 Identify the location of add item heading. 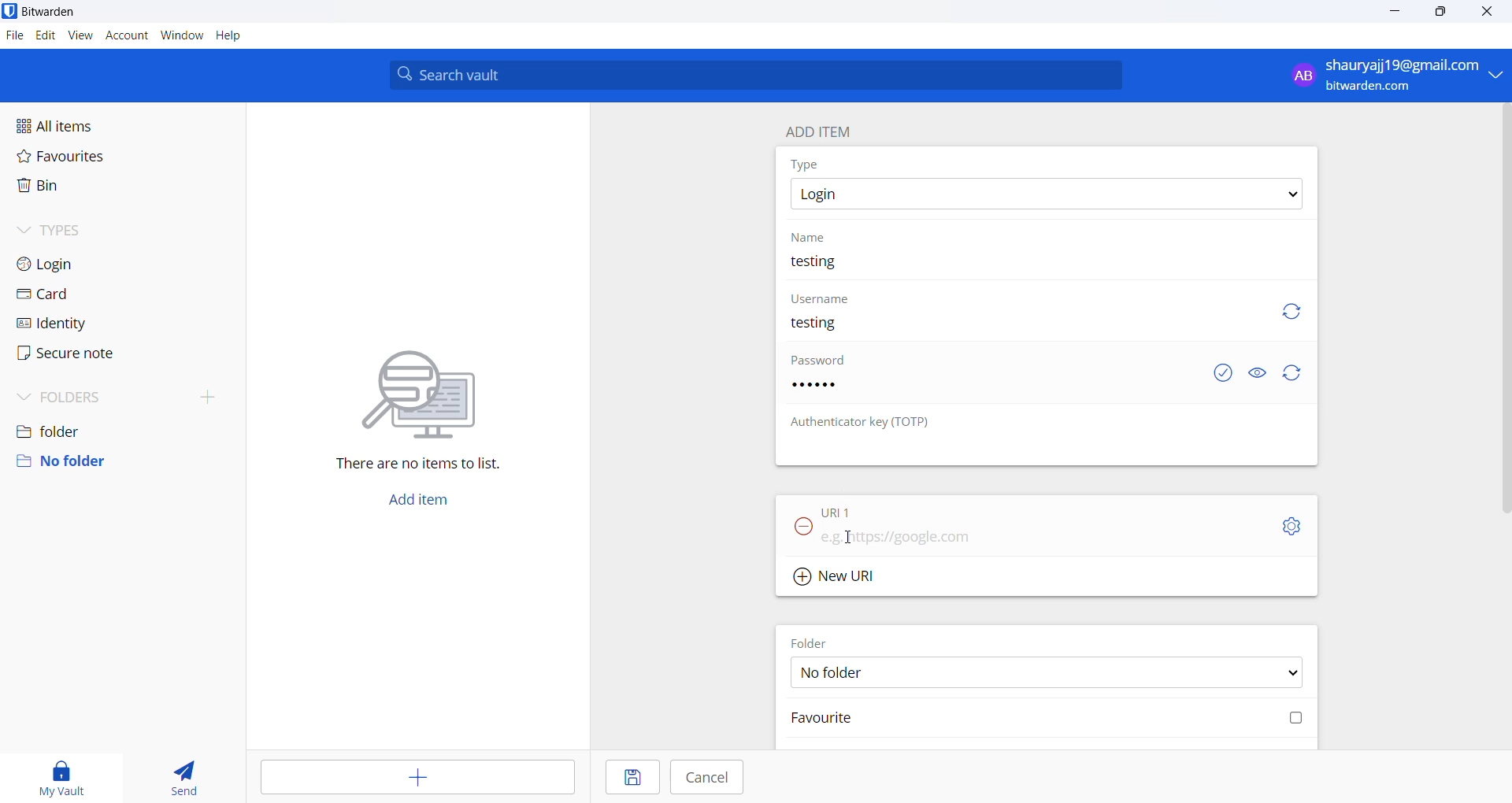
(819, 128).